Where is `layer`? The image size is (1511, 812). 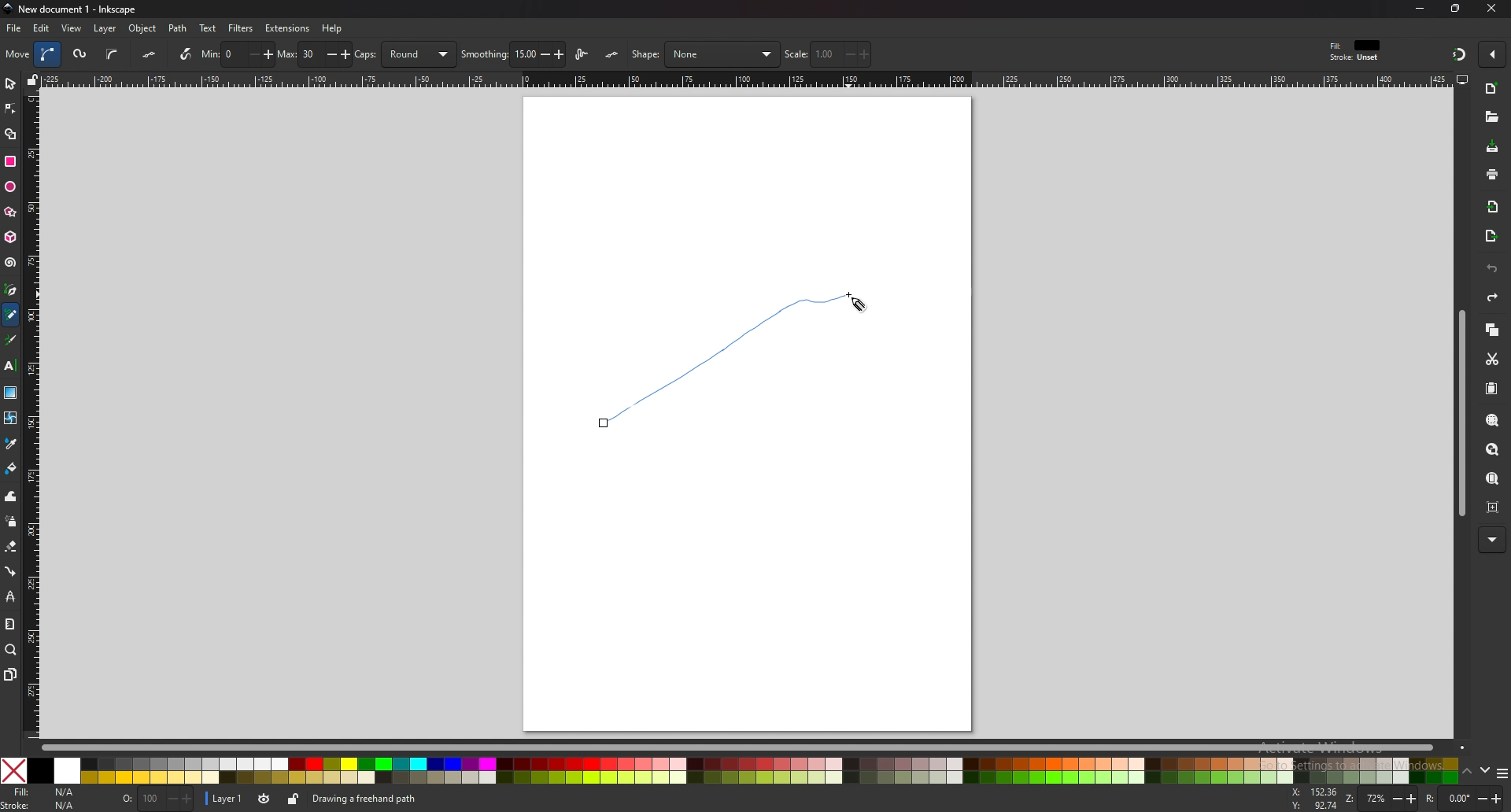 layer is located at coordinates (106, 29).